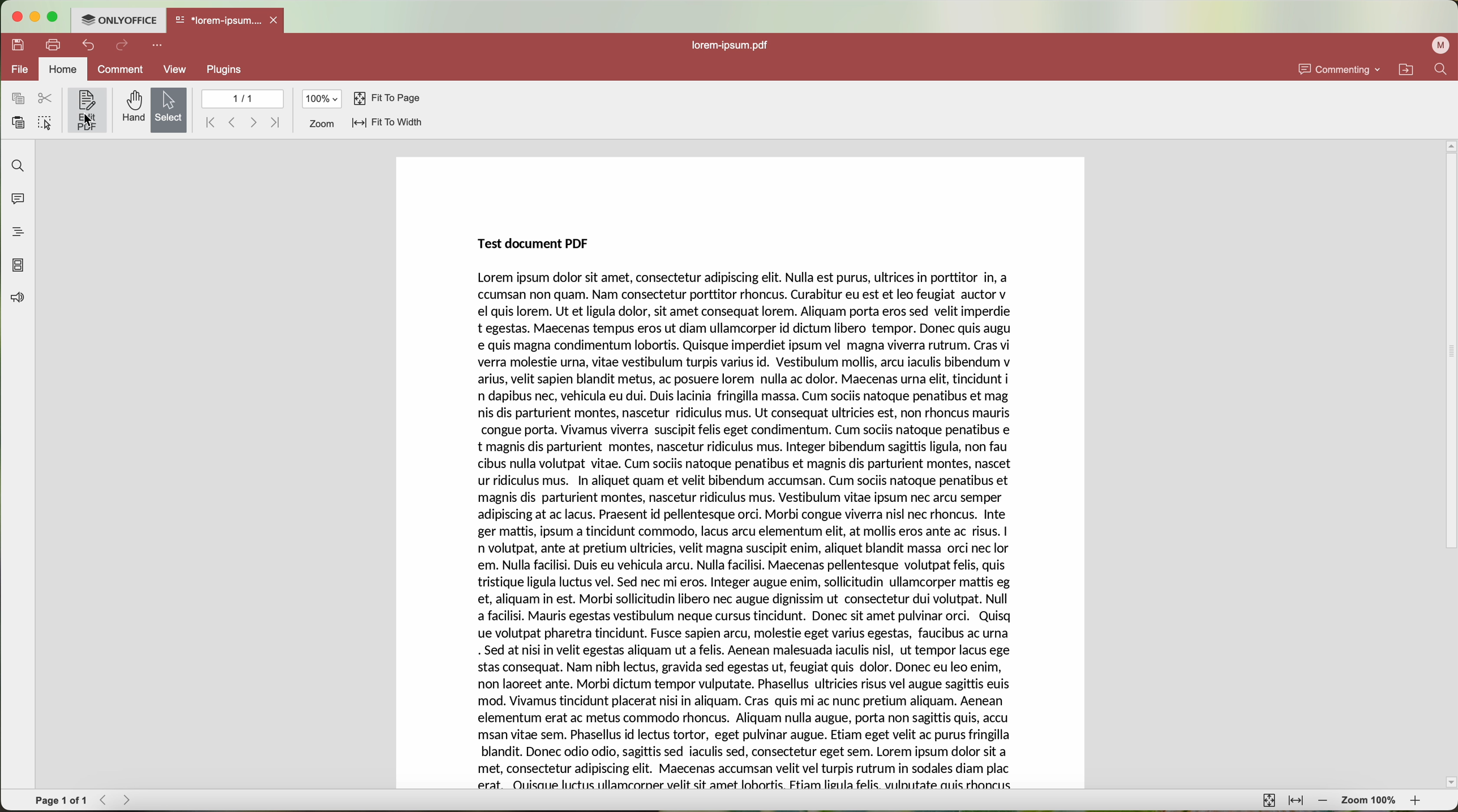  What do you see at coordinates (19, 45) in the screenshot?
I see `save` at bounding box center [19, 45].